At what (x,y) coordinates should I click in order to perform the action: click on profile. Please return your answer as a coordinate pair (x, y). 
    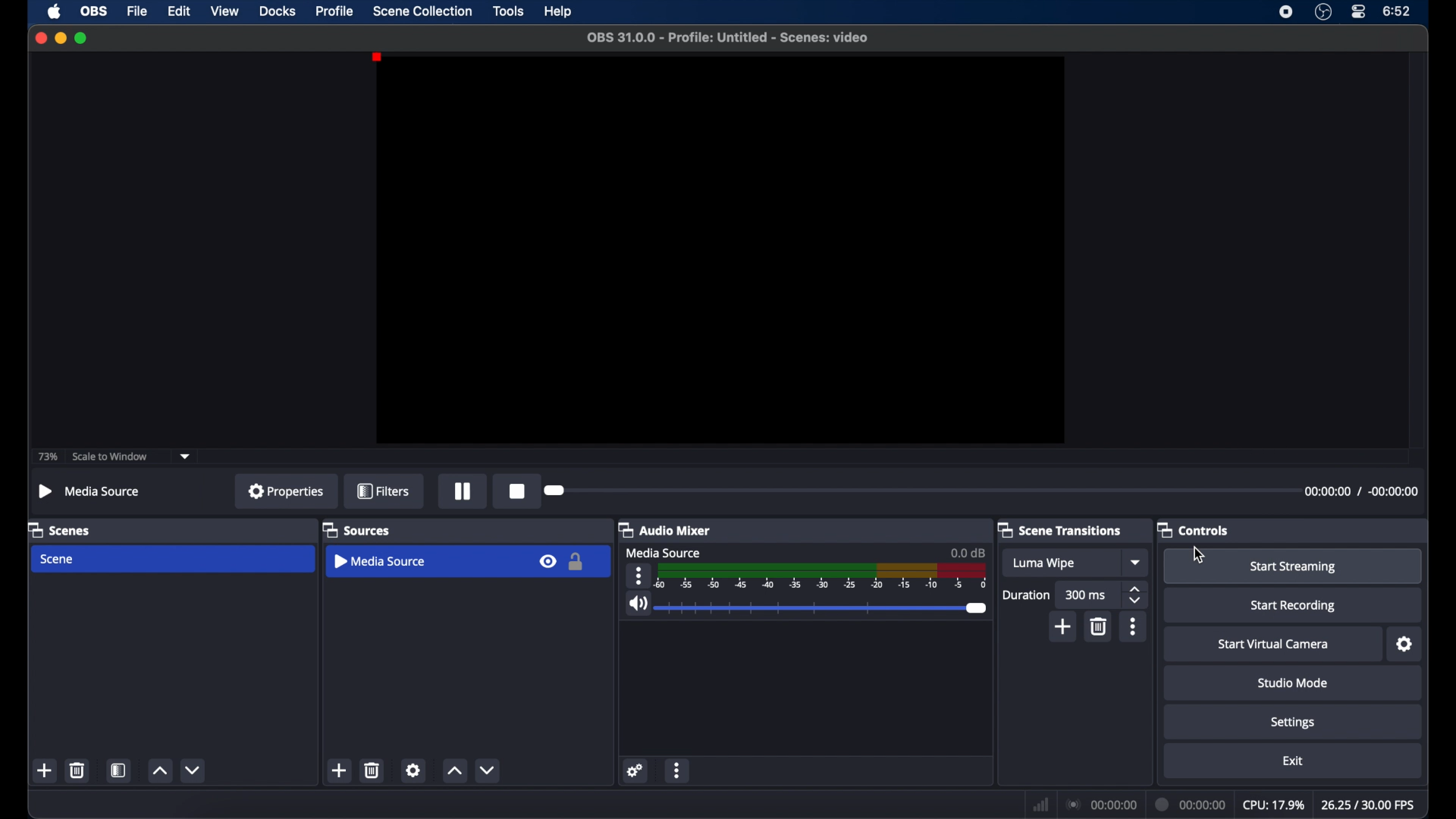
    Looking at the image, I should click on (336, 11).